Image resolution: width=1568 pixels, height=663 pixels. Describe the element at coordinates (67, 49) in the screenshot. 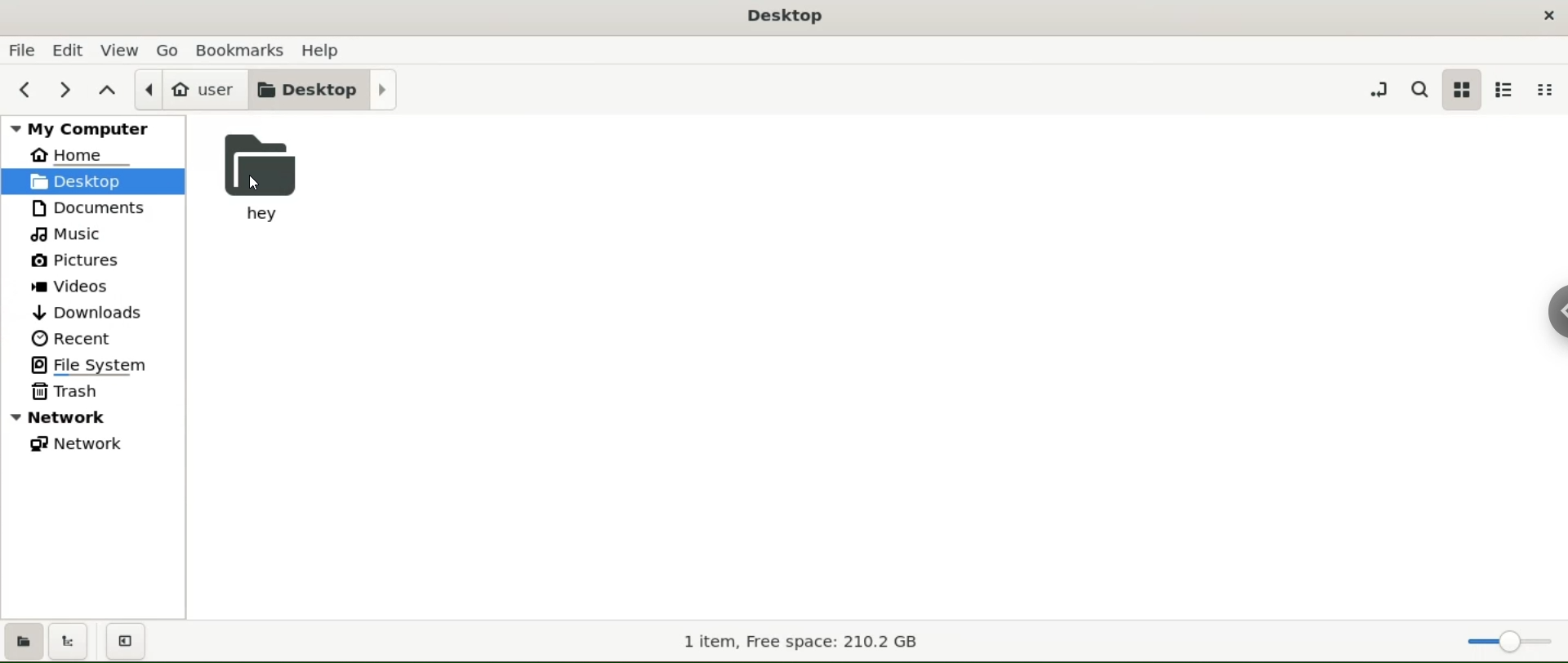

I see `edit` at that location.